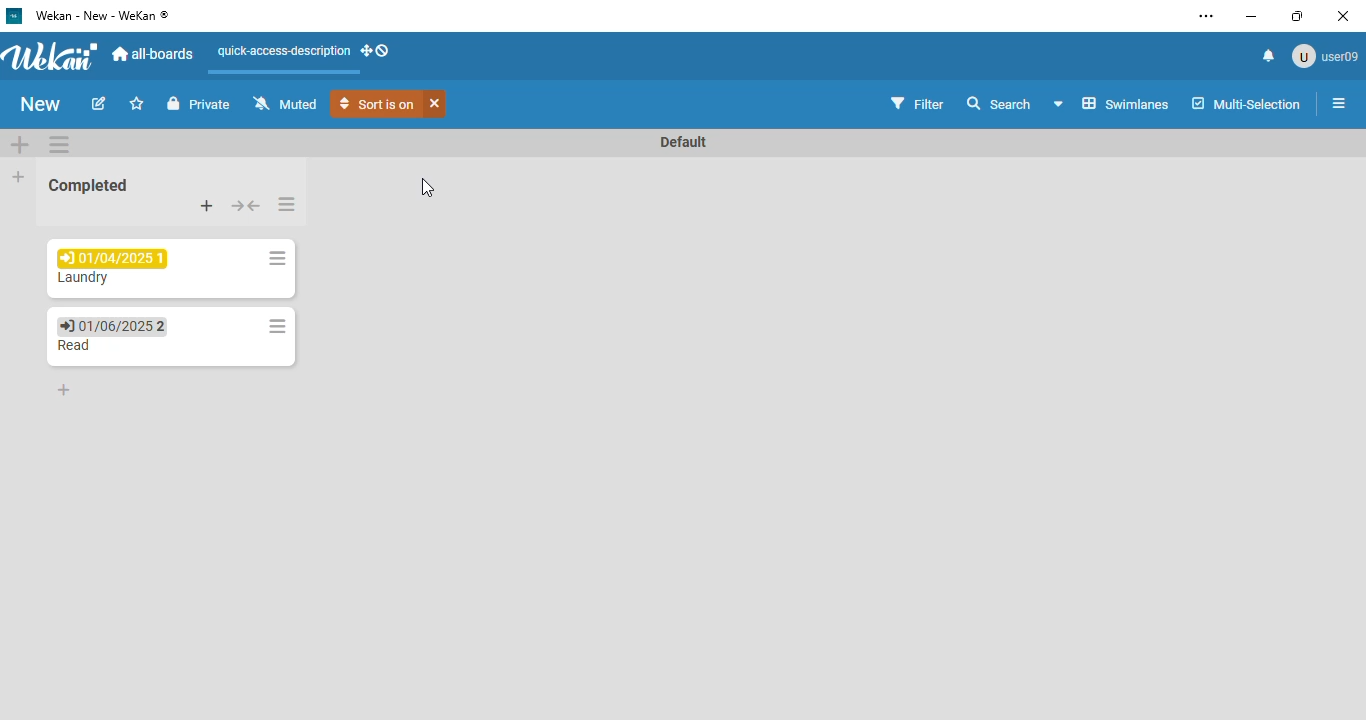  I want to click on list actions, so click(287, 204).